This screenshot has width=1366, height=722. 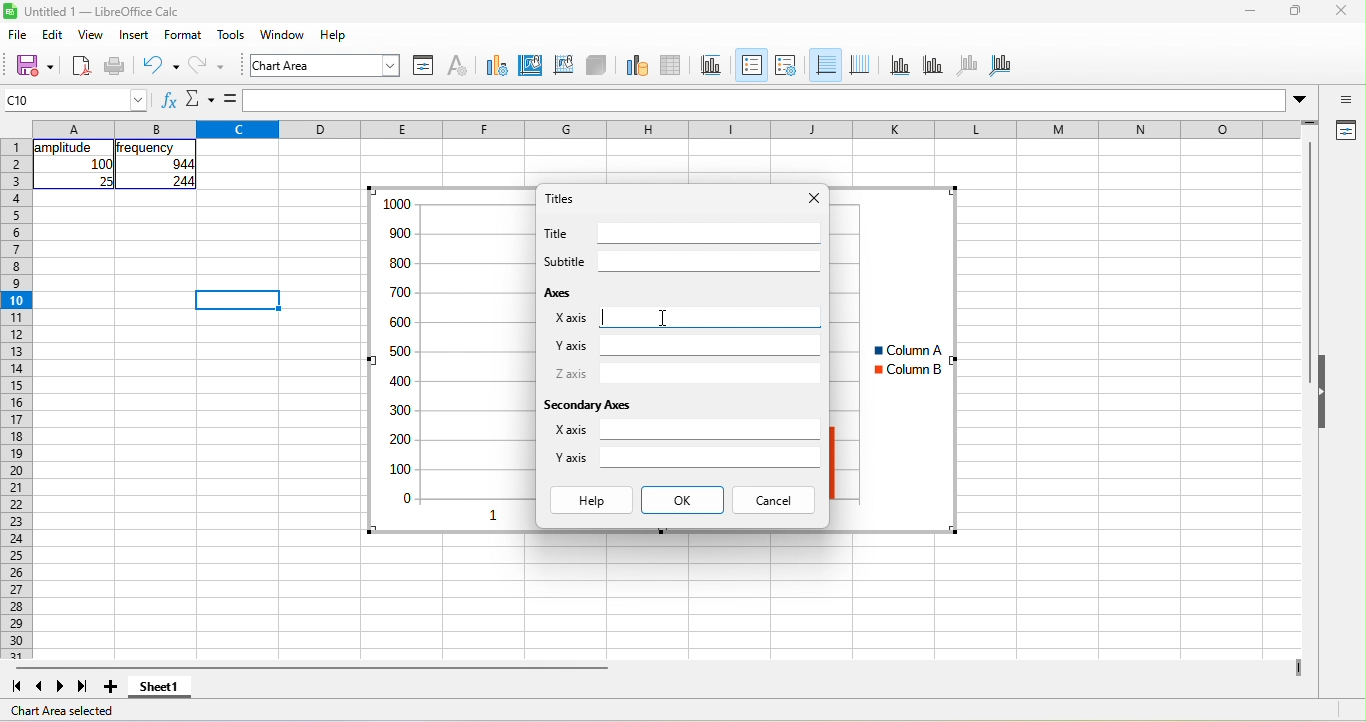 What do you see at coordinates (40, 687) in the screenshot?
I see `previous sheet` at bounding box center [40, 687].